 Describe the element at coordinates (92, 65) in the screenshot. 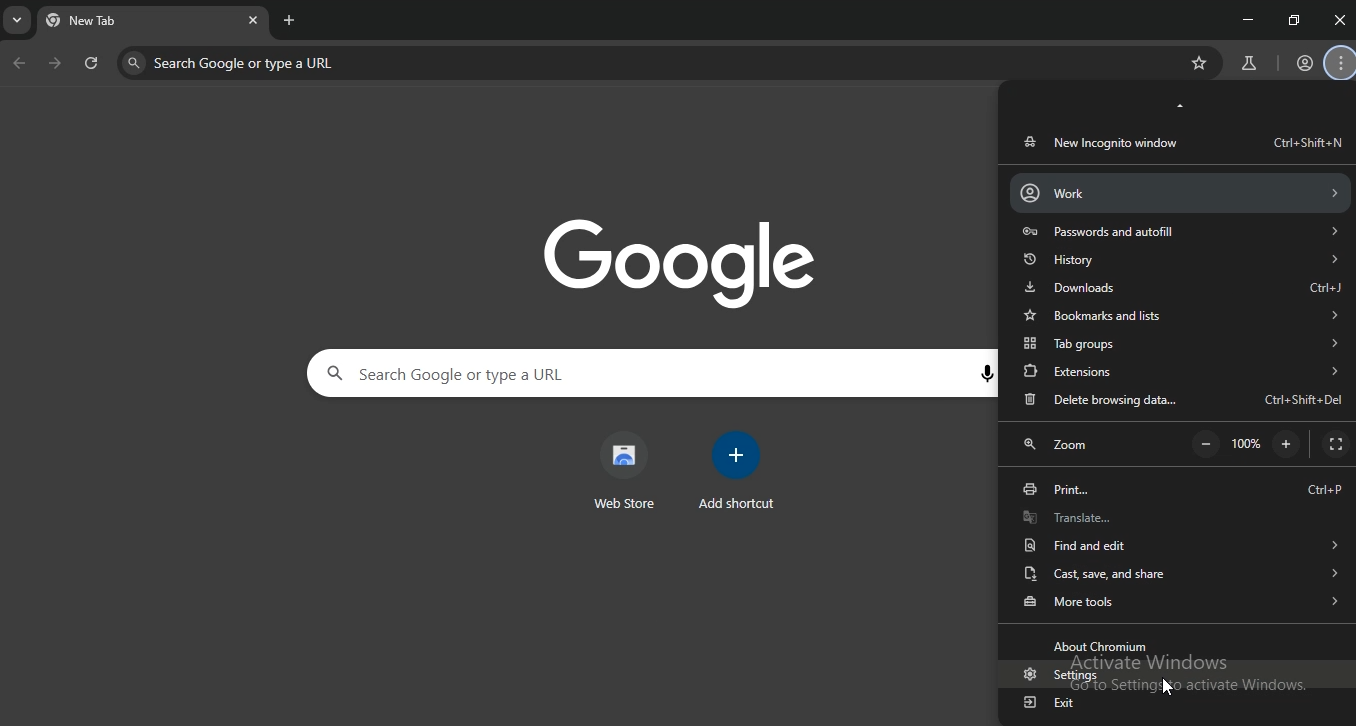

I see `refresh` at that location.